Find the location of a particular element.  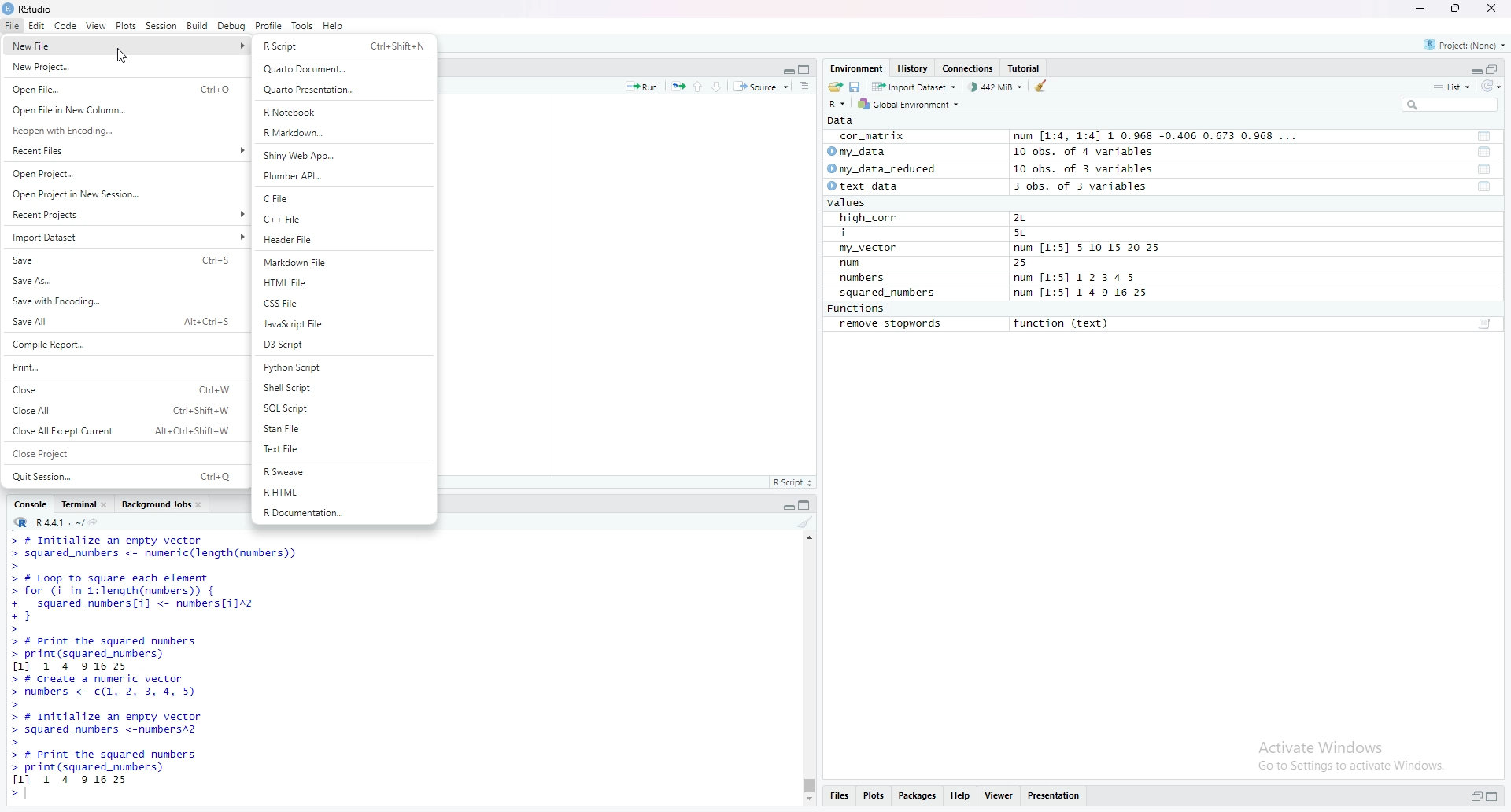

Close All Cr+ Shifts W is located at coordinates (123, 409).